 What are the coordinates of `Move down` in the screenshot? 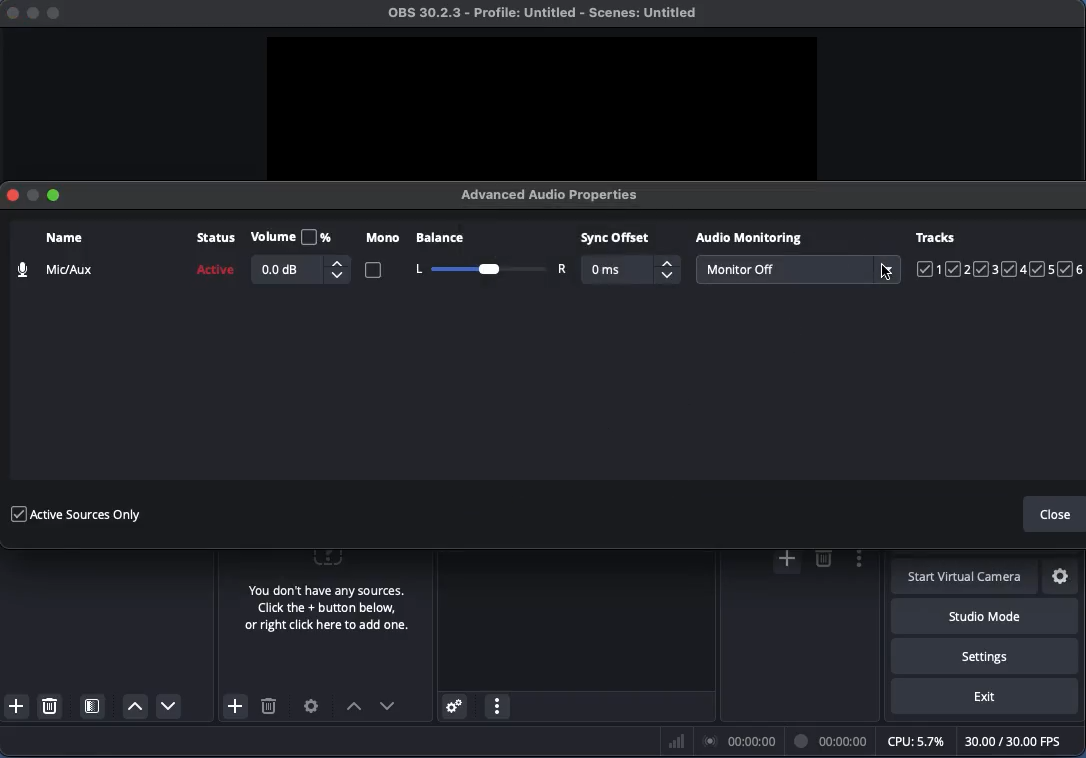 It's located at (388, 706).